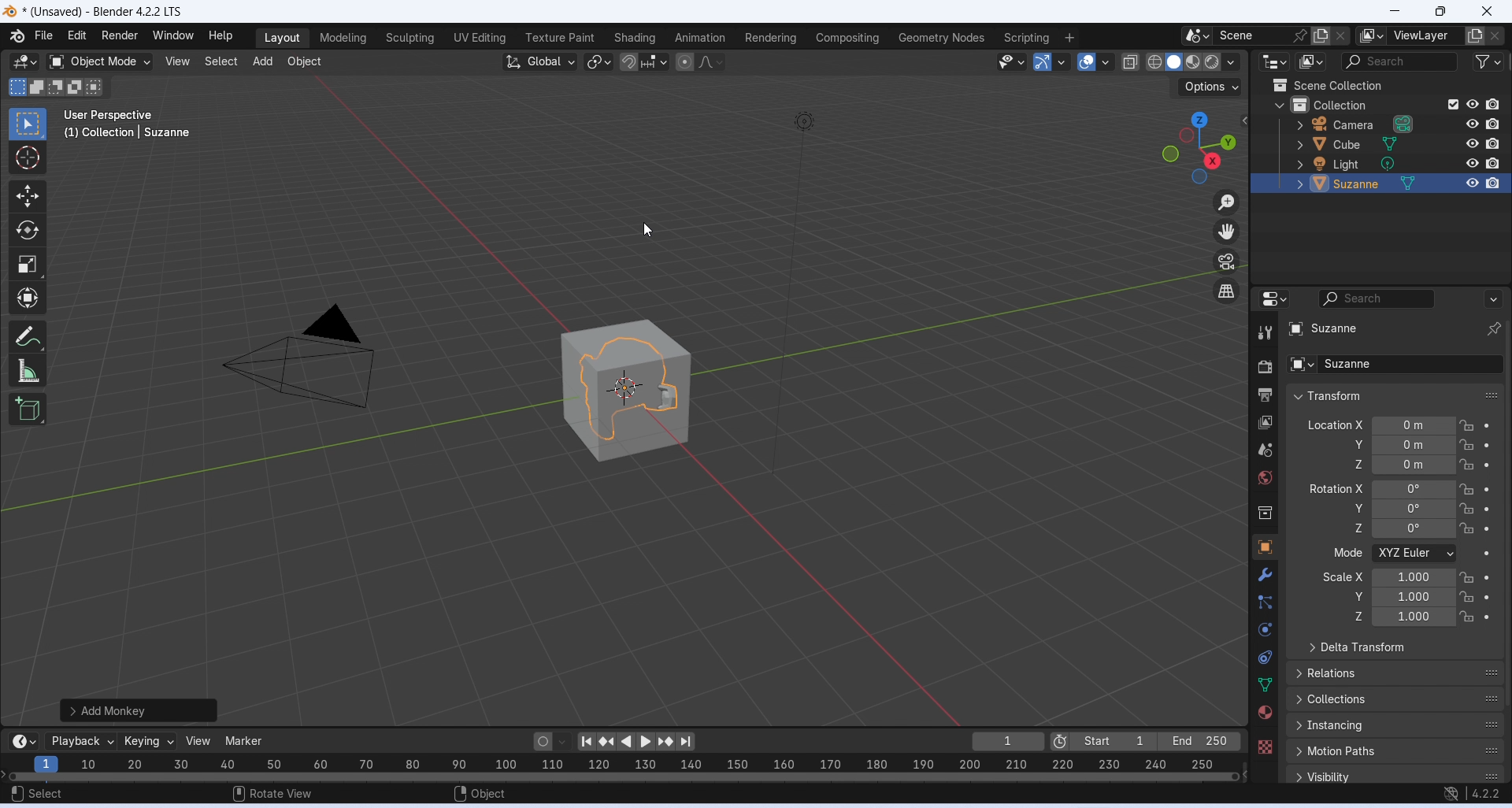 Image resolution: width=1512 pixels, height=808 pixels. Describe the element at coordinates (1349, 507) in the screenshot. I see `y` at that location.